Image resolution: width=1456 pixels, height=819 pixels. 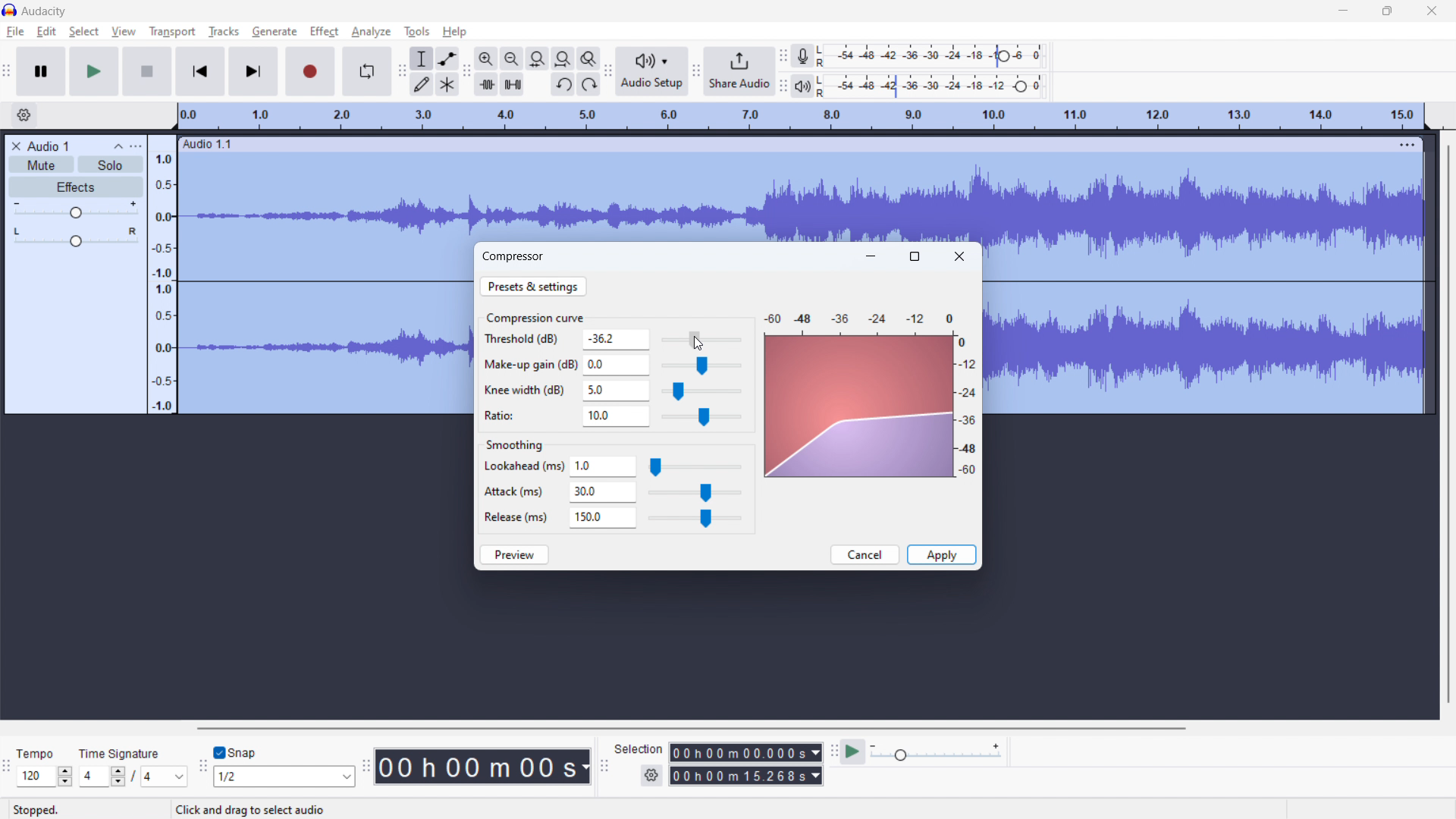 I want to click on collapse, so click(x=116, y=146).